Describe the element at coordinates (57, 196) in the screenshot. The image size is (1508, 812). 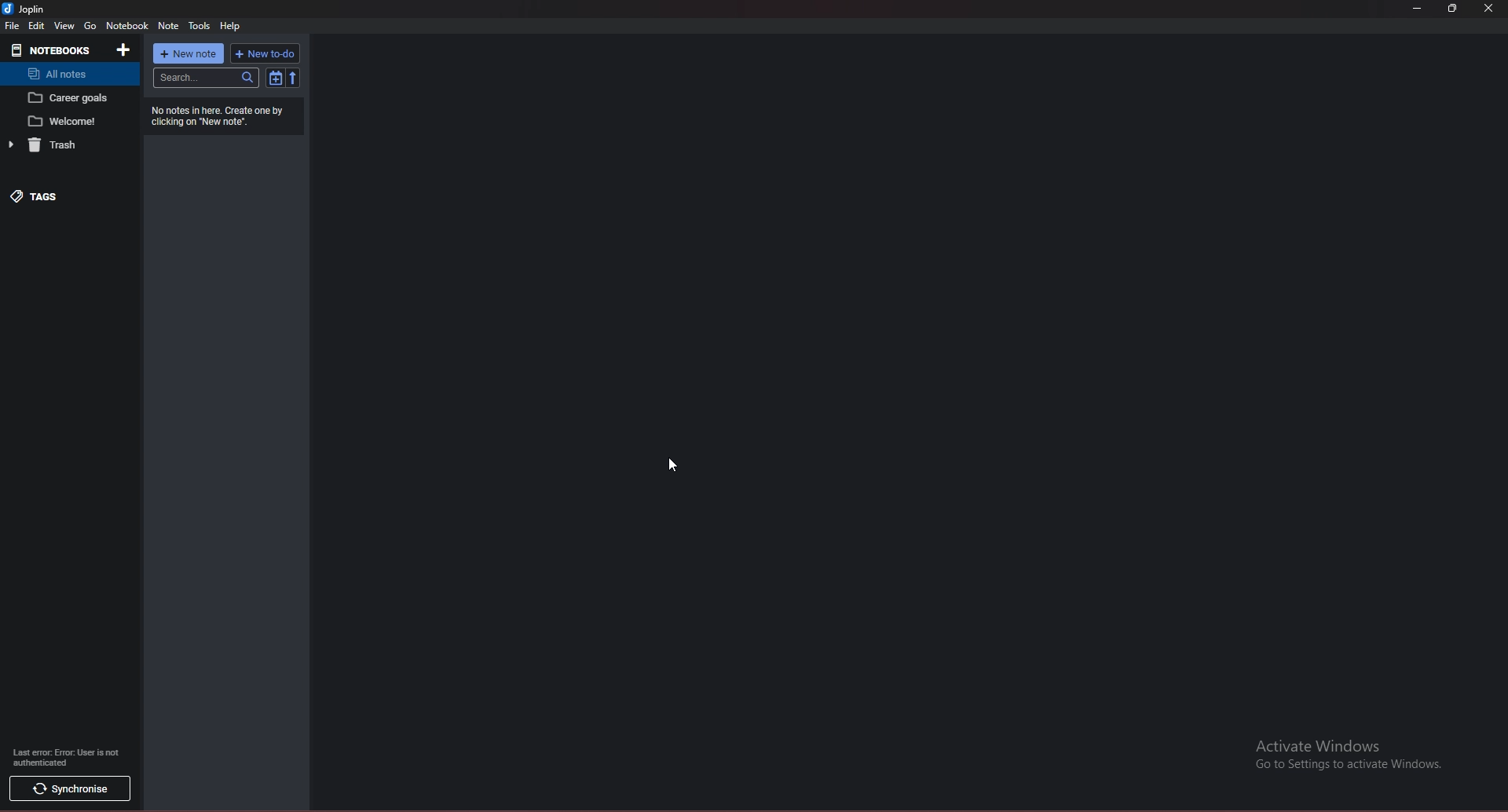
I see `tags` at that location.